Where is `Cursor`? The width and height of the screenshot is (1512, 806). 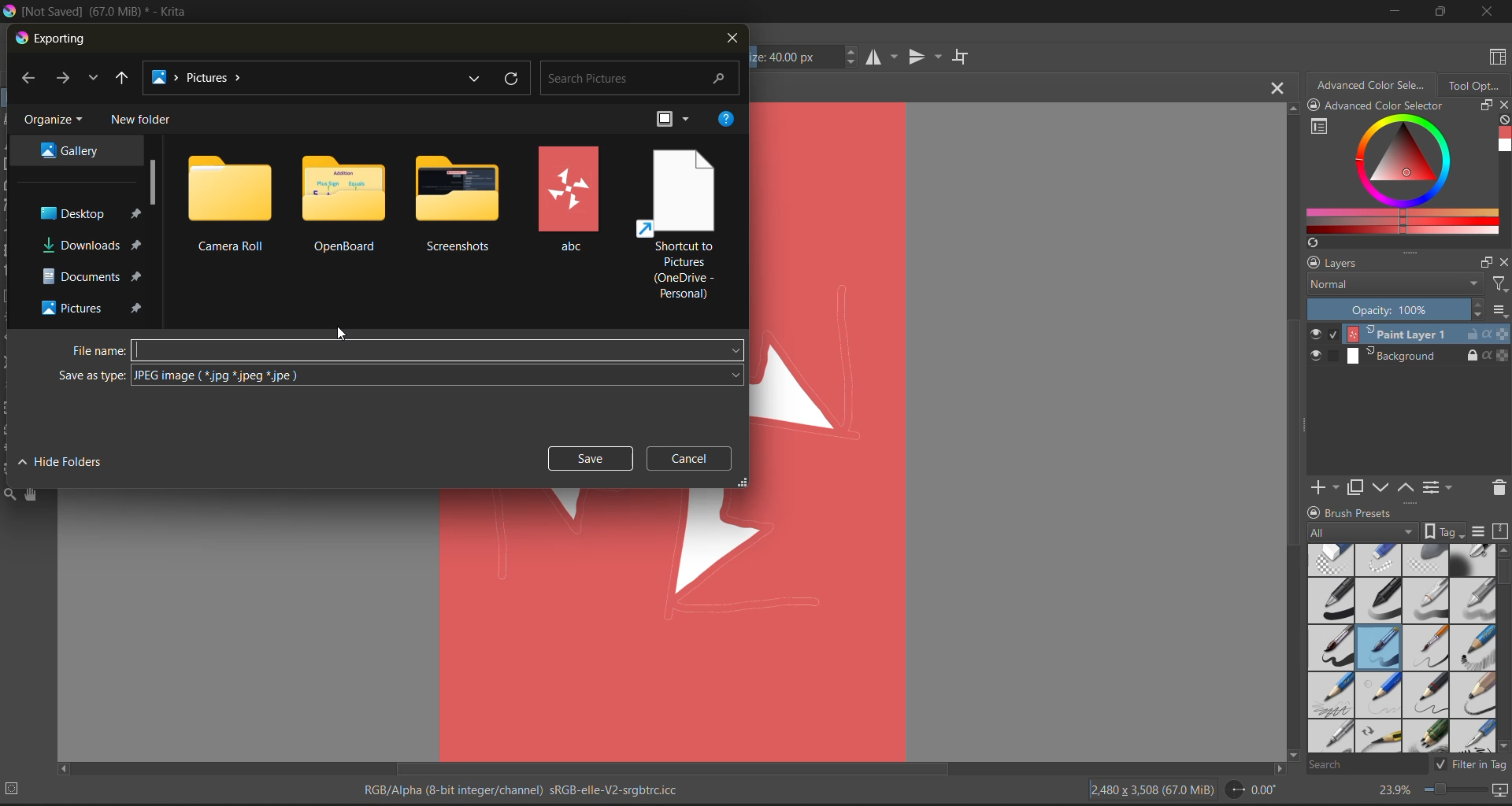 Cursor is located at coordinates (335, 329).